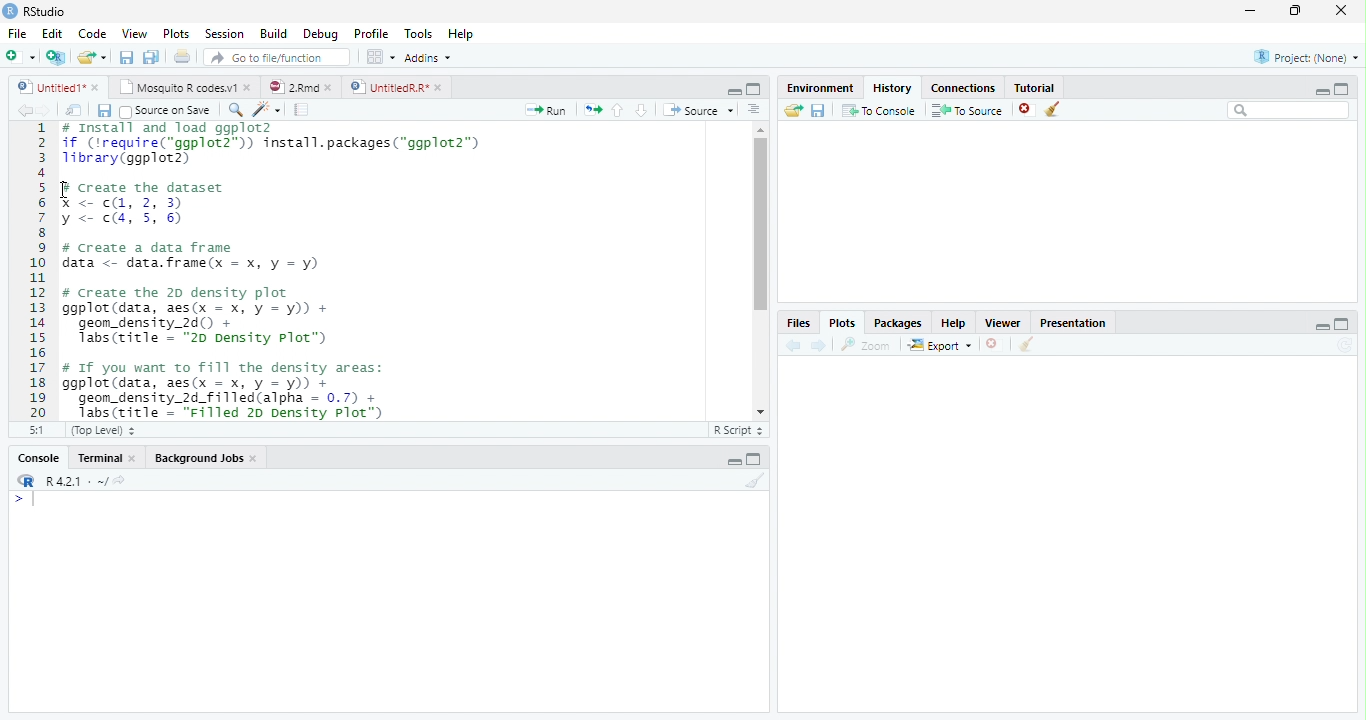 This screenshot has height=720, width=1366. Describe the element at coordinates (52, 112) in the screenshot. I see `next` at that location.